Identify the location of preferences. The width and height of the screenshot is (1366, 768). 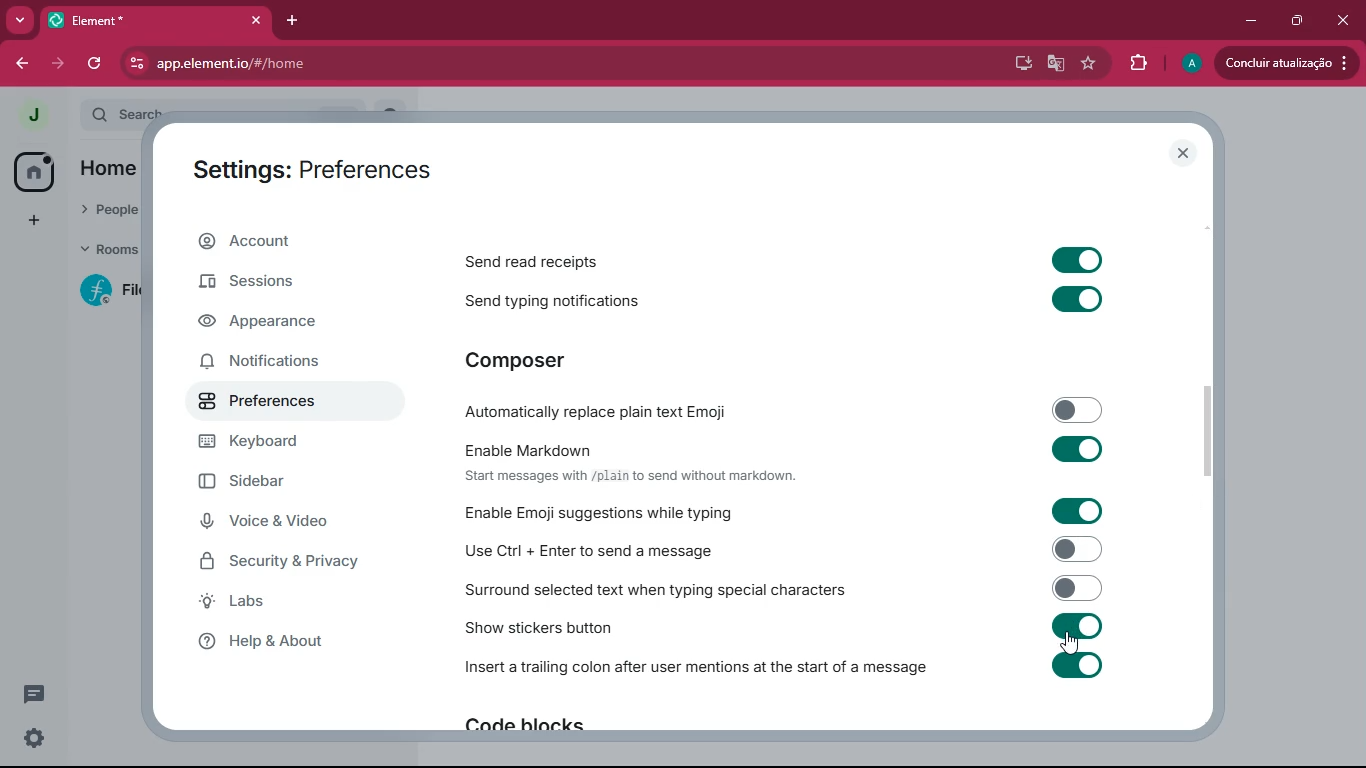
(283, 402).